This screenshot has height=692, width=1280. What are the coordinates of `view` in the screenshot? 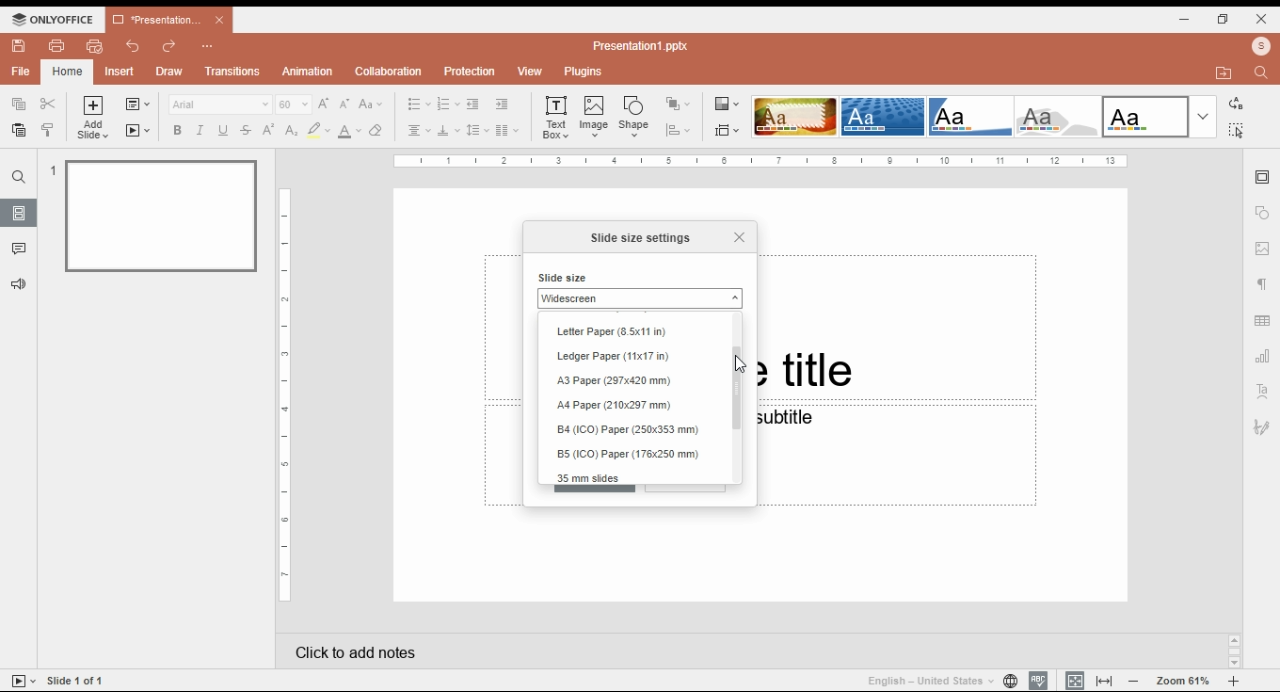 It's located at (529, 72).